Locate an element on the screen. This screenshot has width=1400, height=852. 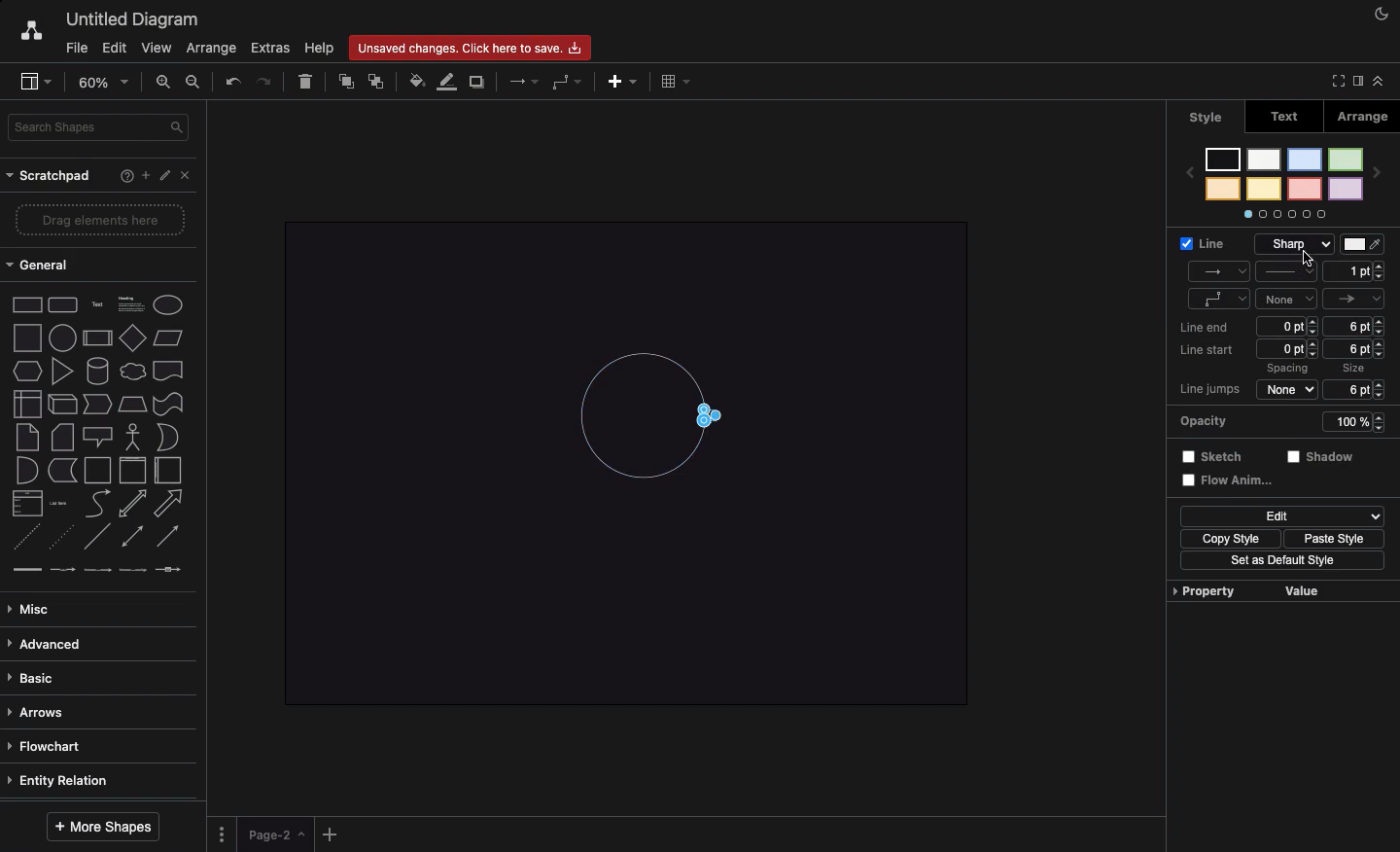
Arrow pointer is located at coordinates (1354, 297).